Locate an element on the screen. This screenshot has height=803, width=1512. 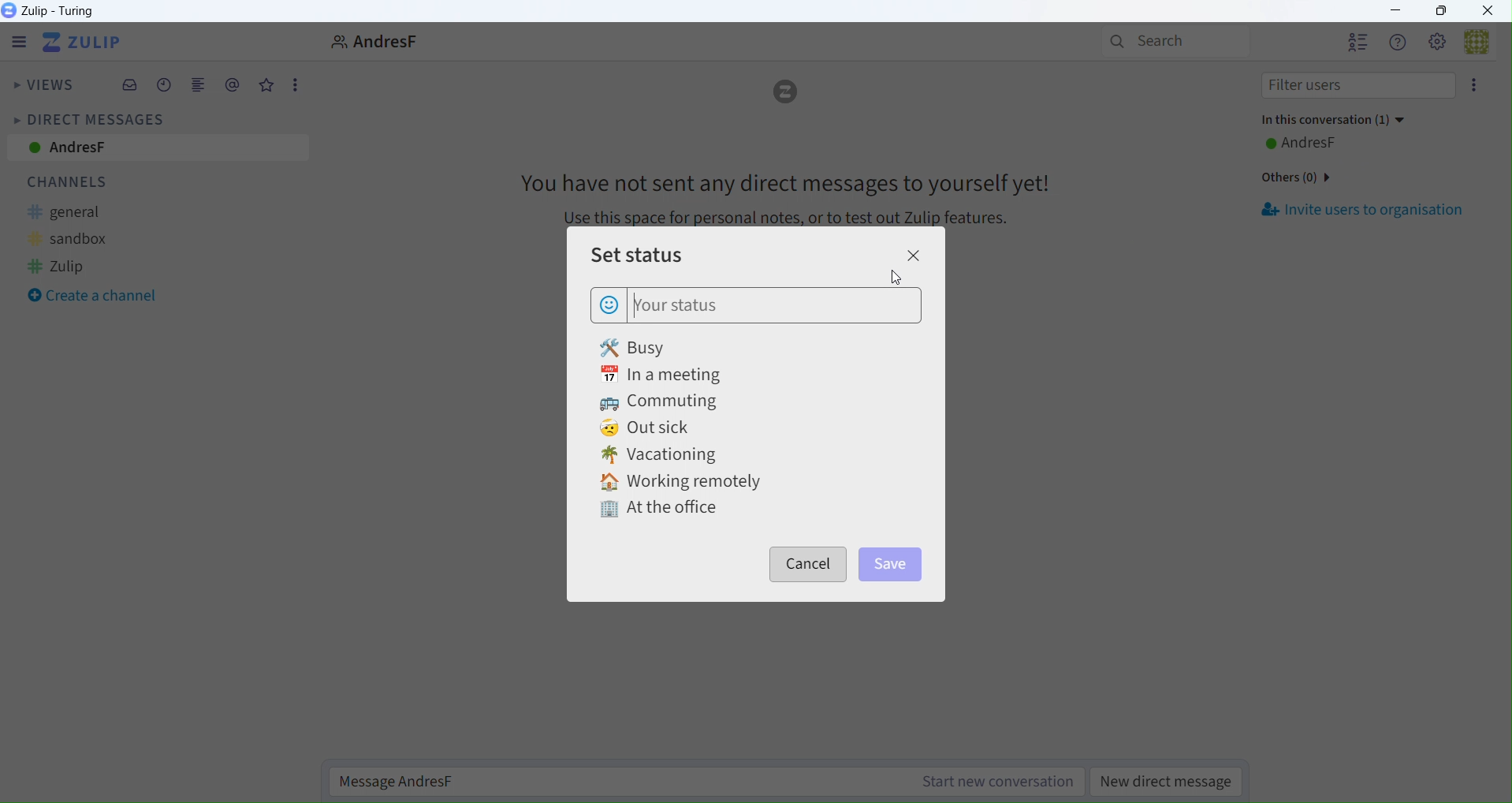
Logo is located at coordinates (788, 95).